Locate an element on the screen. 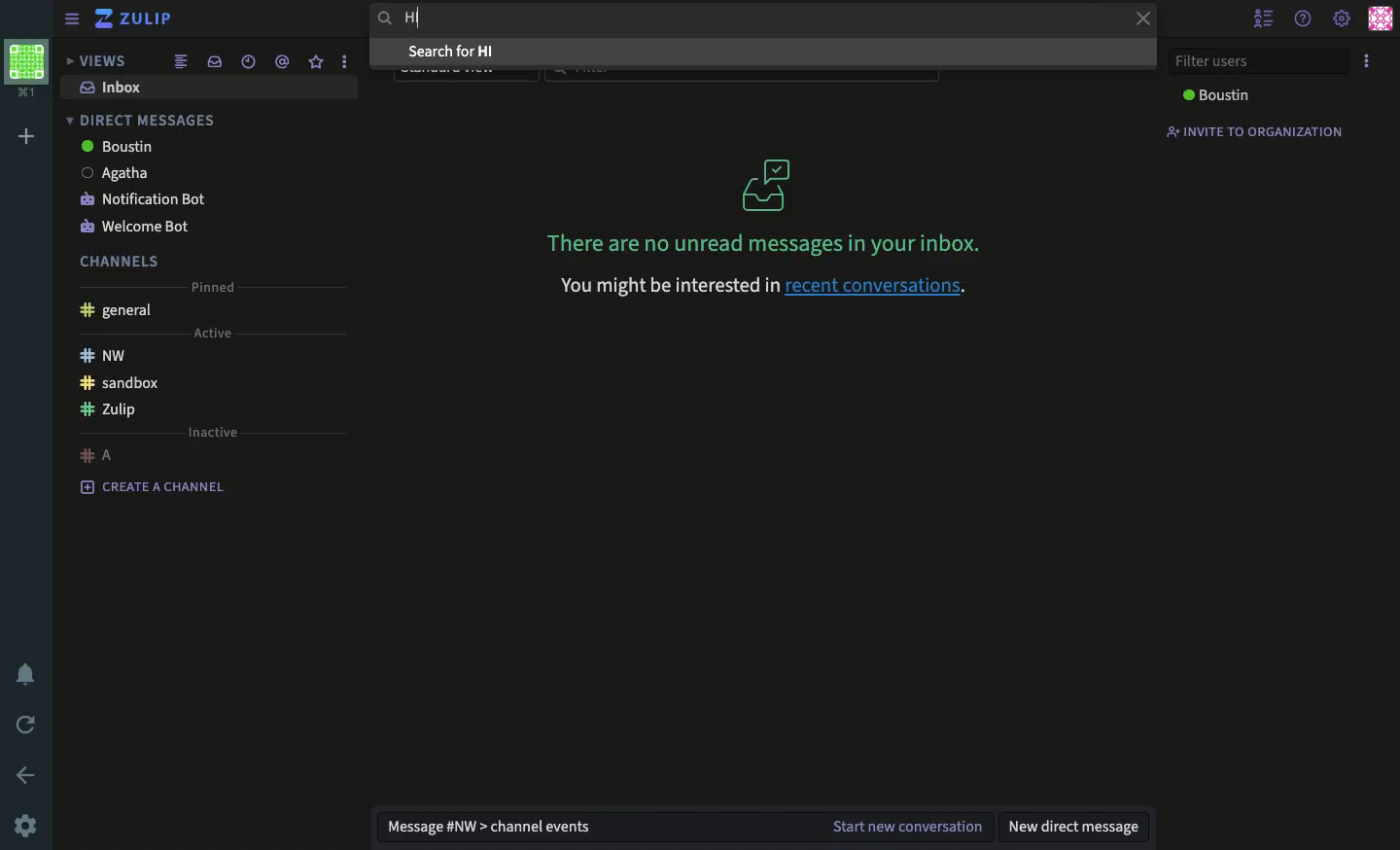 The width and height of the screenshot is (1400, 850). welcome bot is located at coordinates (139, 227).